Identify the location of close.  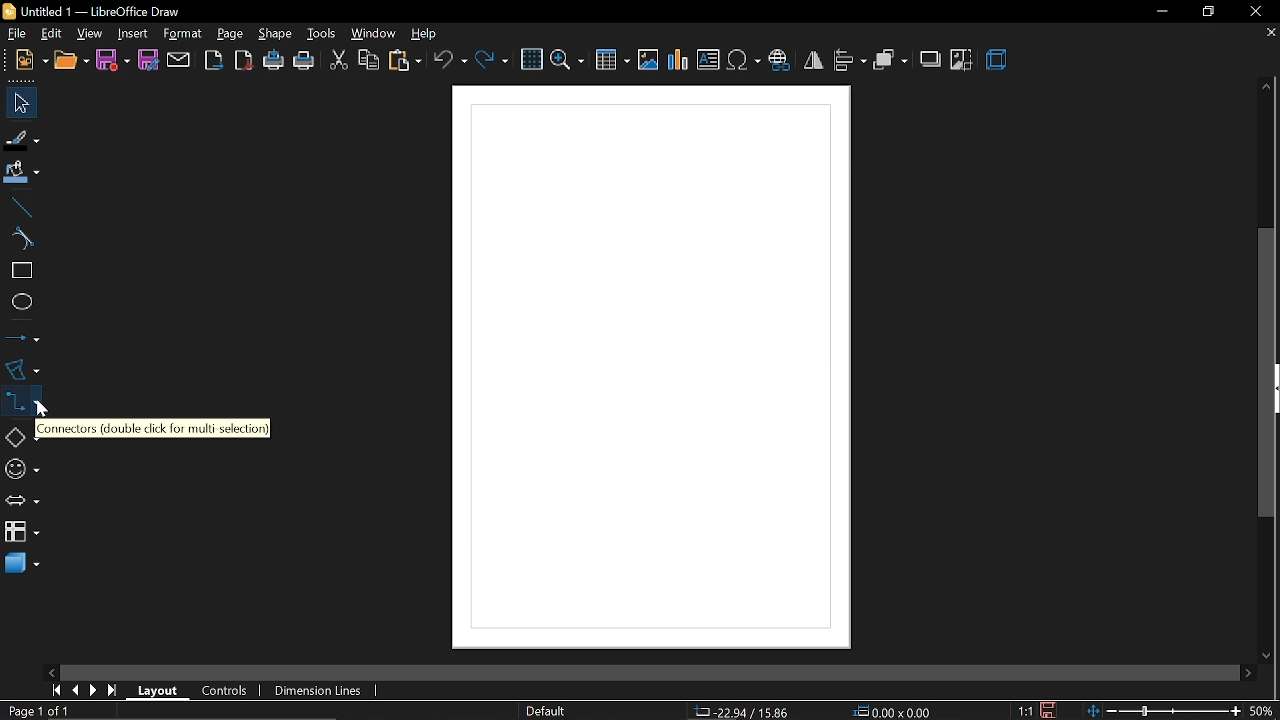
(1253, 11).